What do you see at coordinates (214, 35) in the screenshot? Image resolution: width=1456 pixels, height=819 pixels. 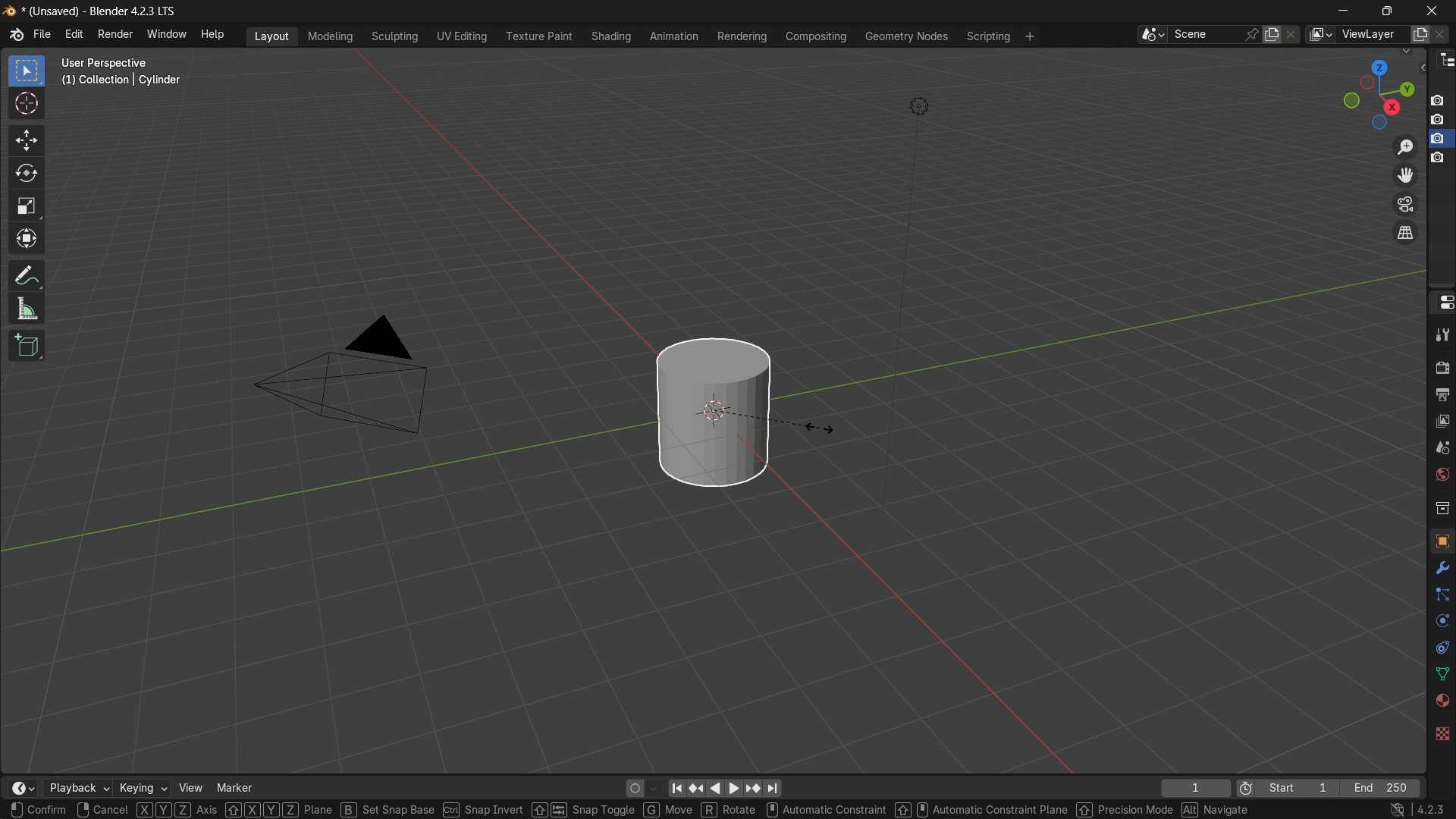 I see `help menu` at bounding box center [214, 35].